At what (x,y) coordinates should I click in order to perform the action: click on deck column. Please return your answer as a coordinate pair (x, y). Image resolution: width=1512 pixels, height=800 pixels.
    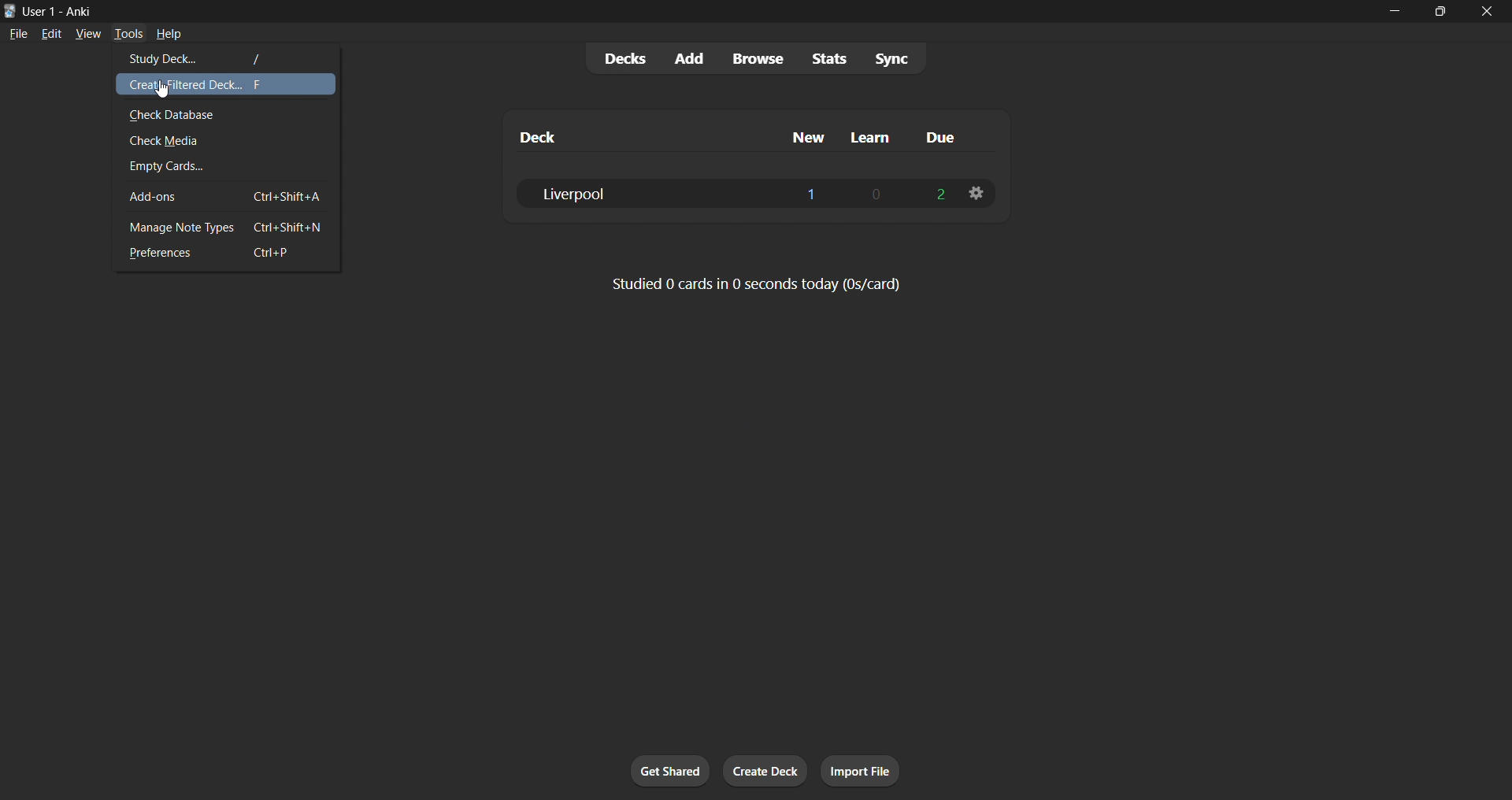
    Looking at the image, I should click on (630, 136).